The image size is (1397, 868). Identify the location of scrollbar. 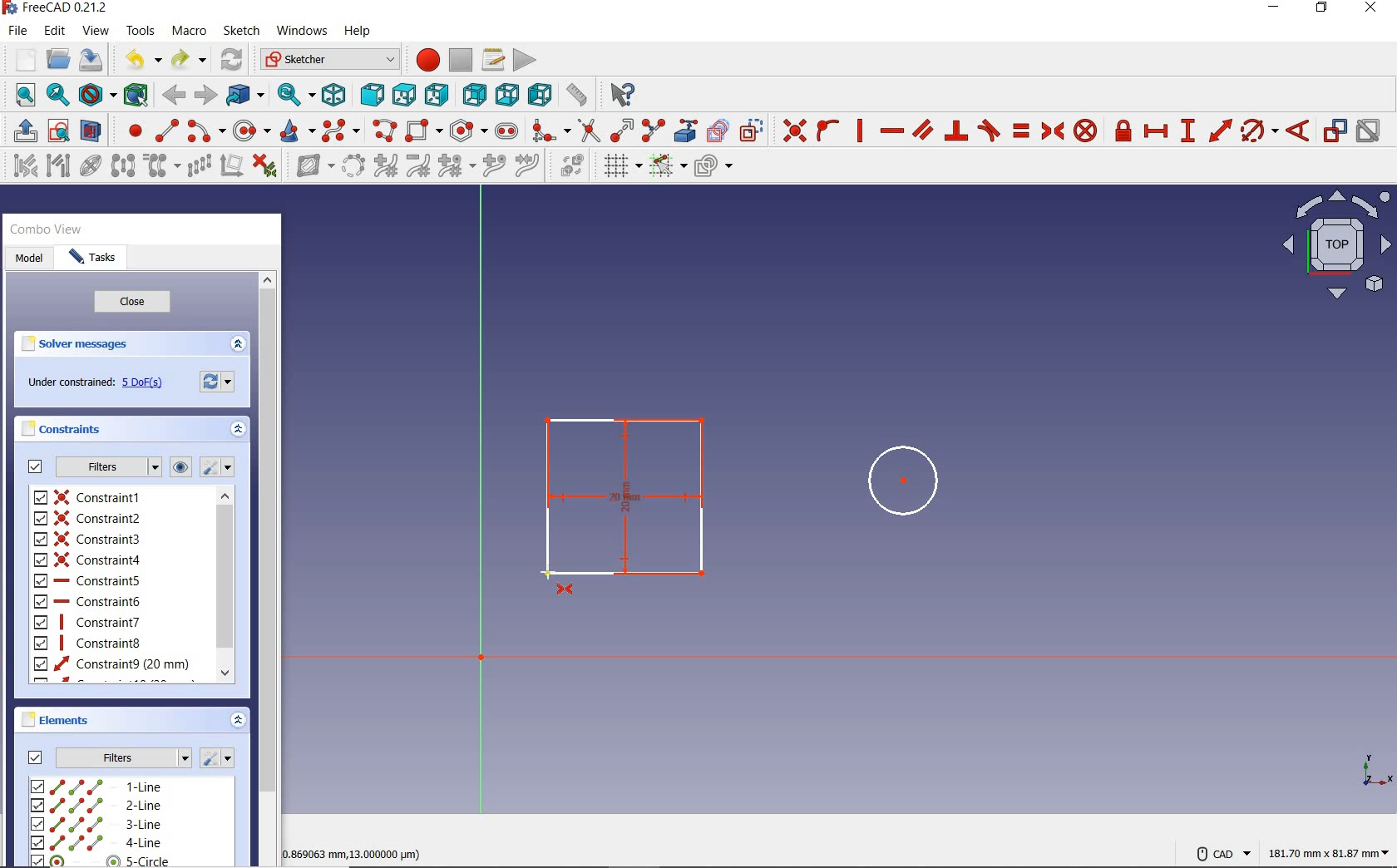
(268, 579).